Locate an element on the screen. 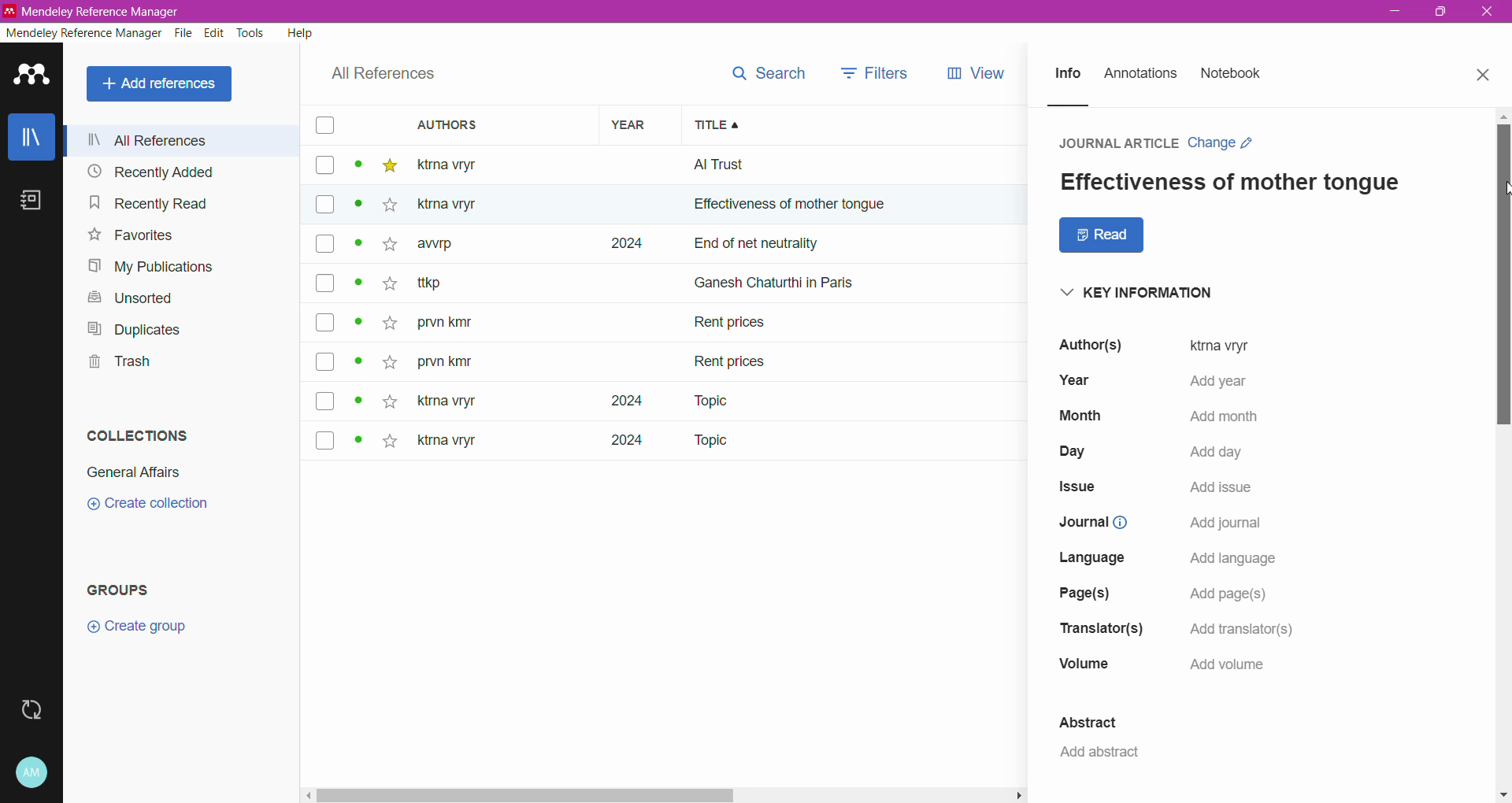 The width and height of the screenshot is (1512, 803). dot  is located at coordinates (360, 287).